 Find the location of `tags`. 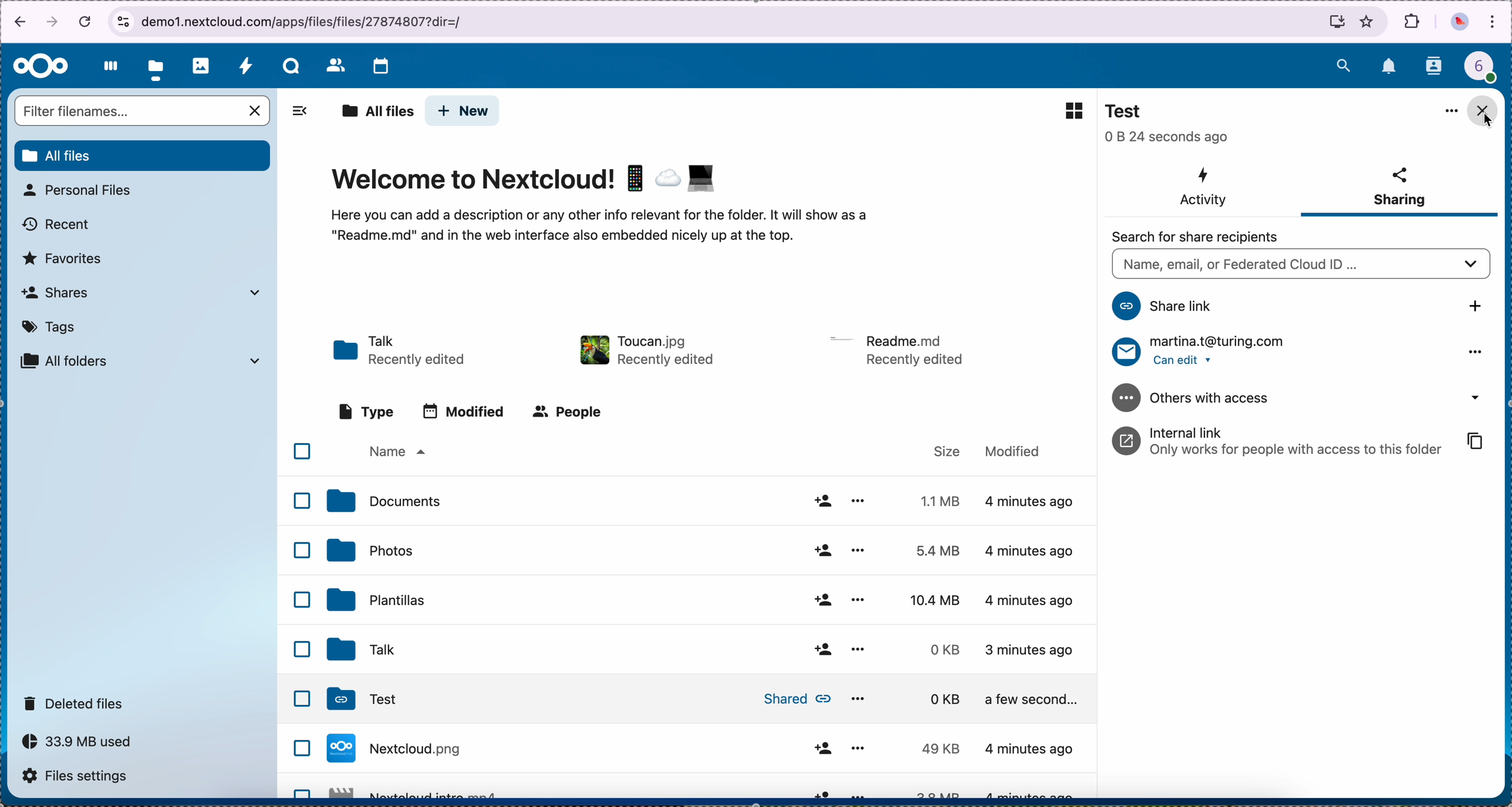

tags is located at coordinates (50, 327).